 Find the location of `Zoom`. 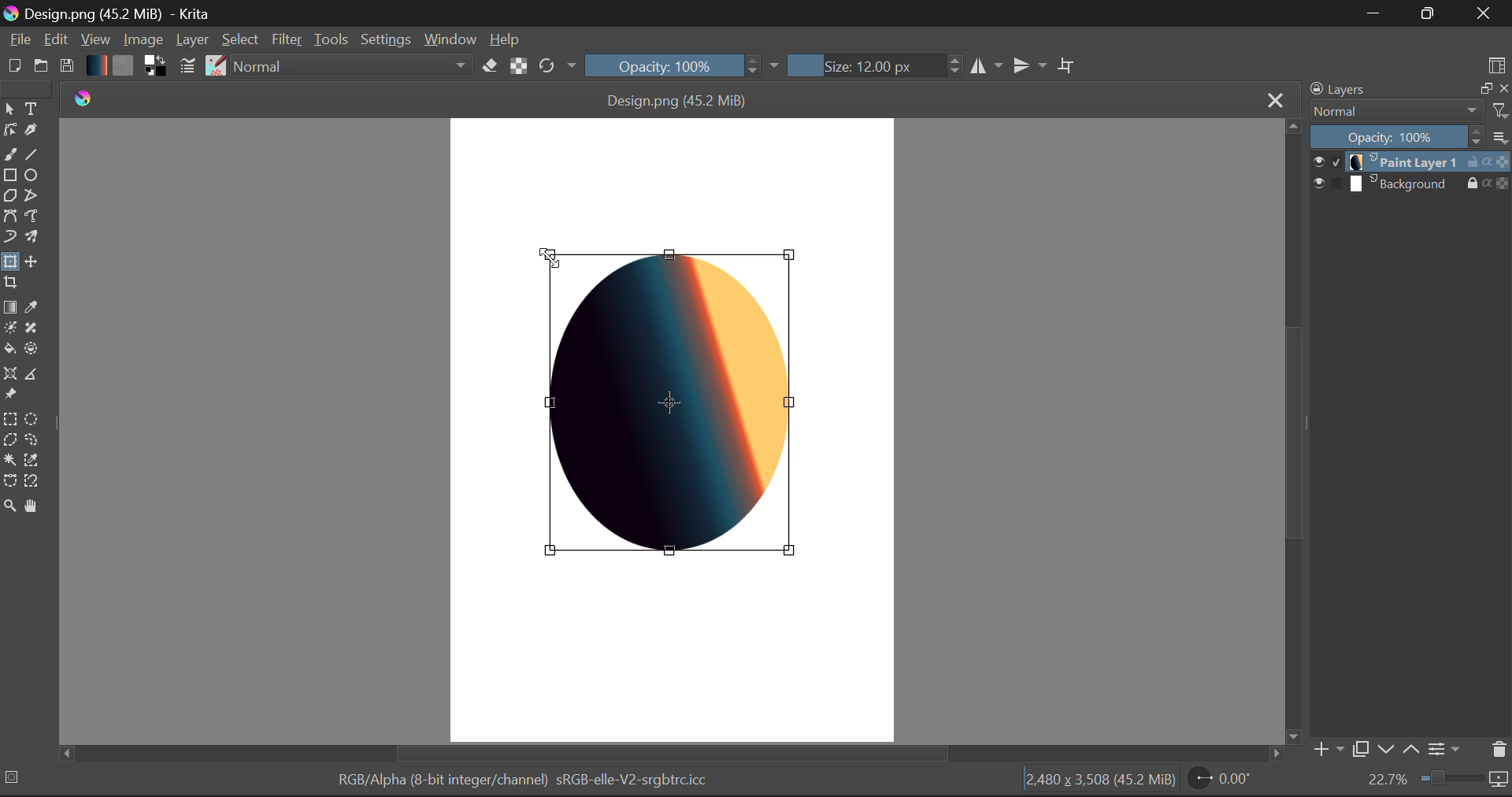

Zoom is located at coordinates (1437, 781).